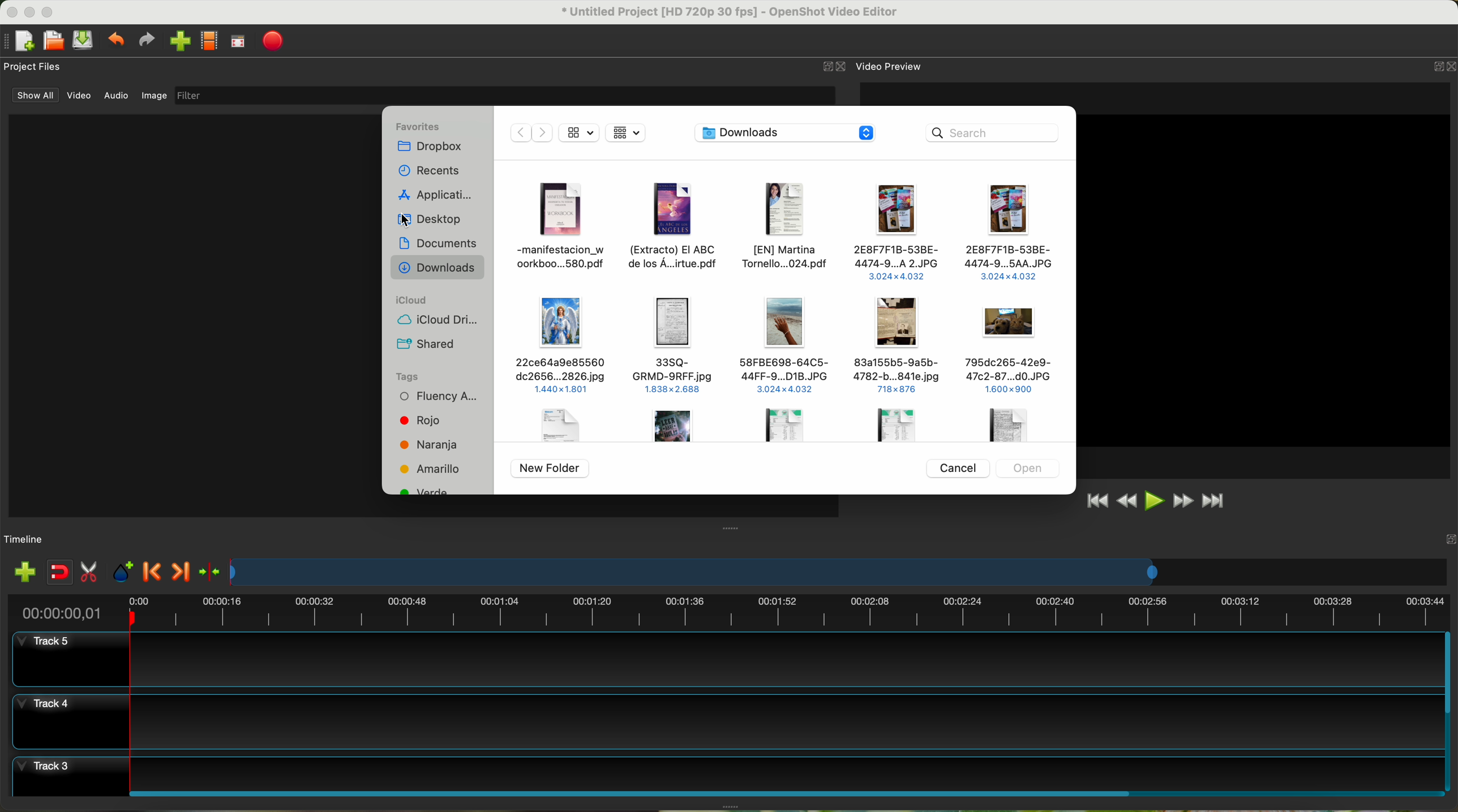  I want to click on search bar, so click(996, 132).